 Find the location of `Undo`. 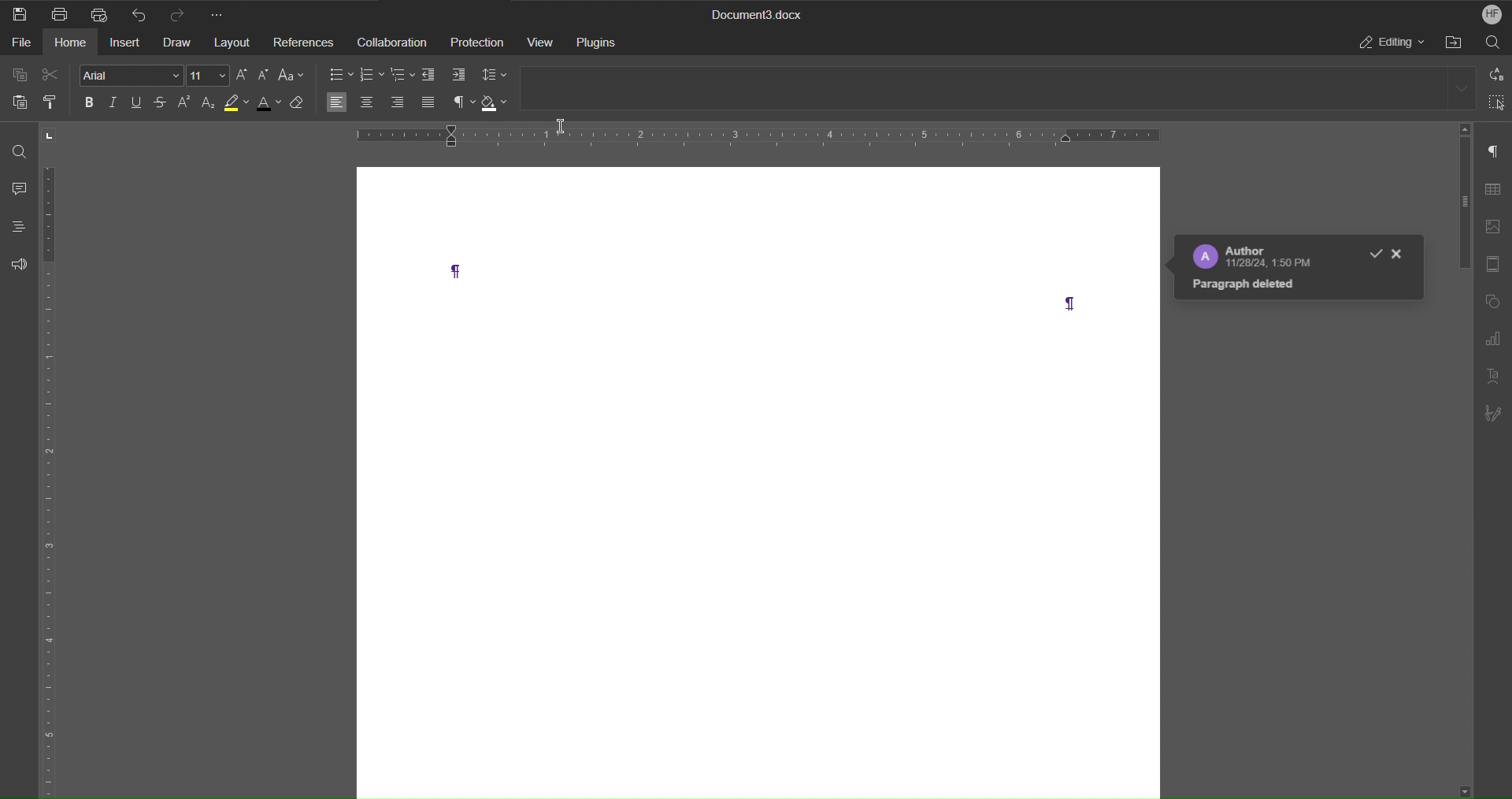

Undo is located at coordinates (142, 14).